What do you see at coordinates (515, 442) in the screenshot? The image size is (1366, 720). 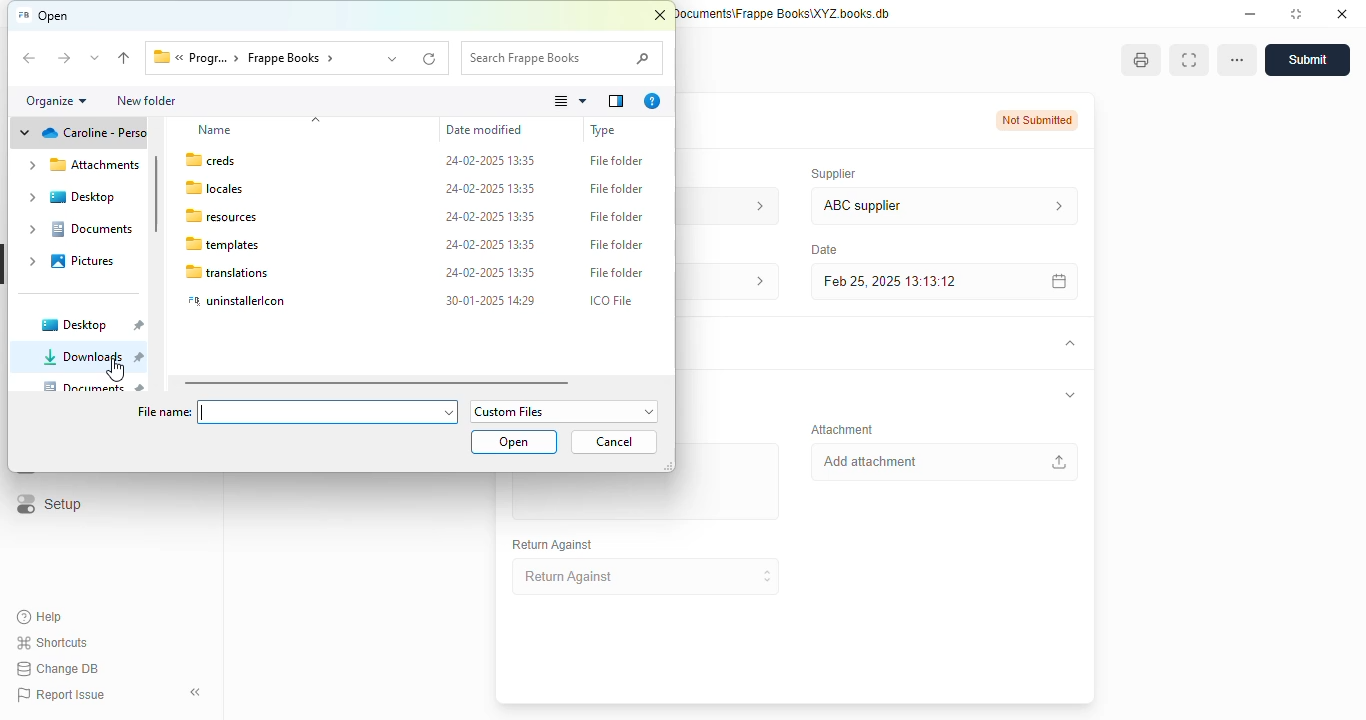 I see `open` at bounding box center [515, 442].